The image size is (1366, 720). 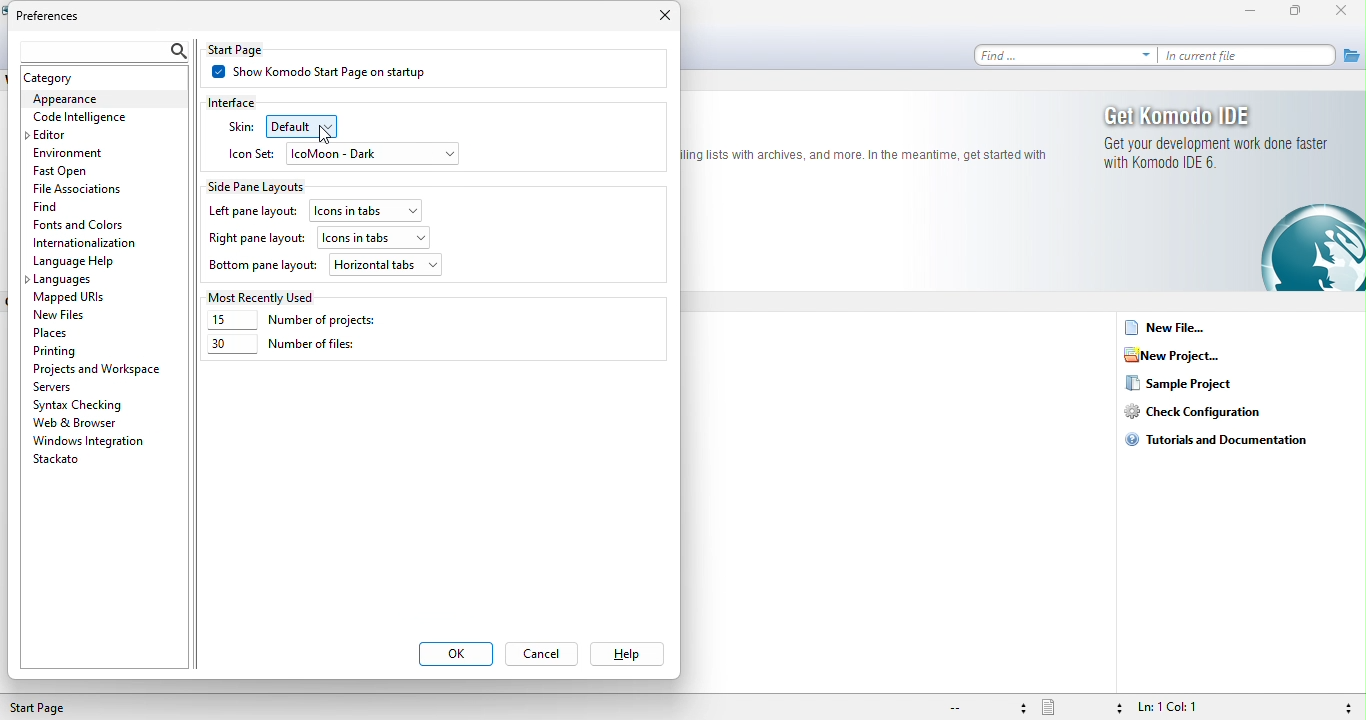 I want to click on tutorials and documentation, so click(x=1228, y=439).